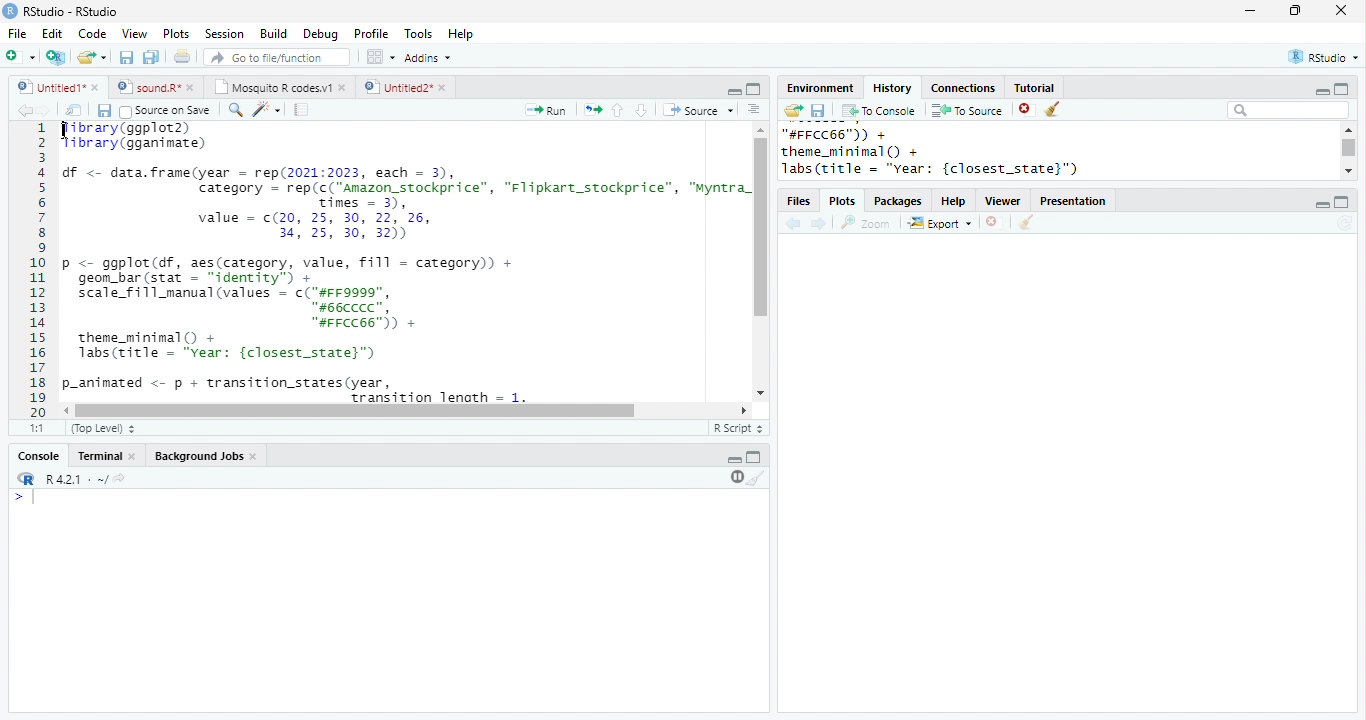 This screenshot has height=720, width=1366. Describe the element at coordinates (1073, 201) in the screenshot. I see `Presentation` at that location.